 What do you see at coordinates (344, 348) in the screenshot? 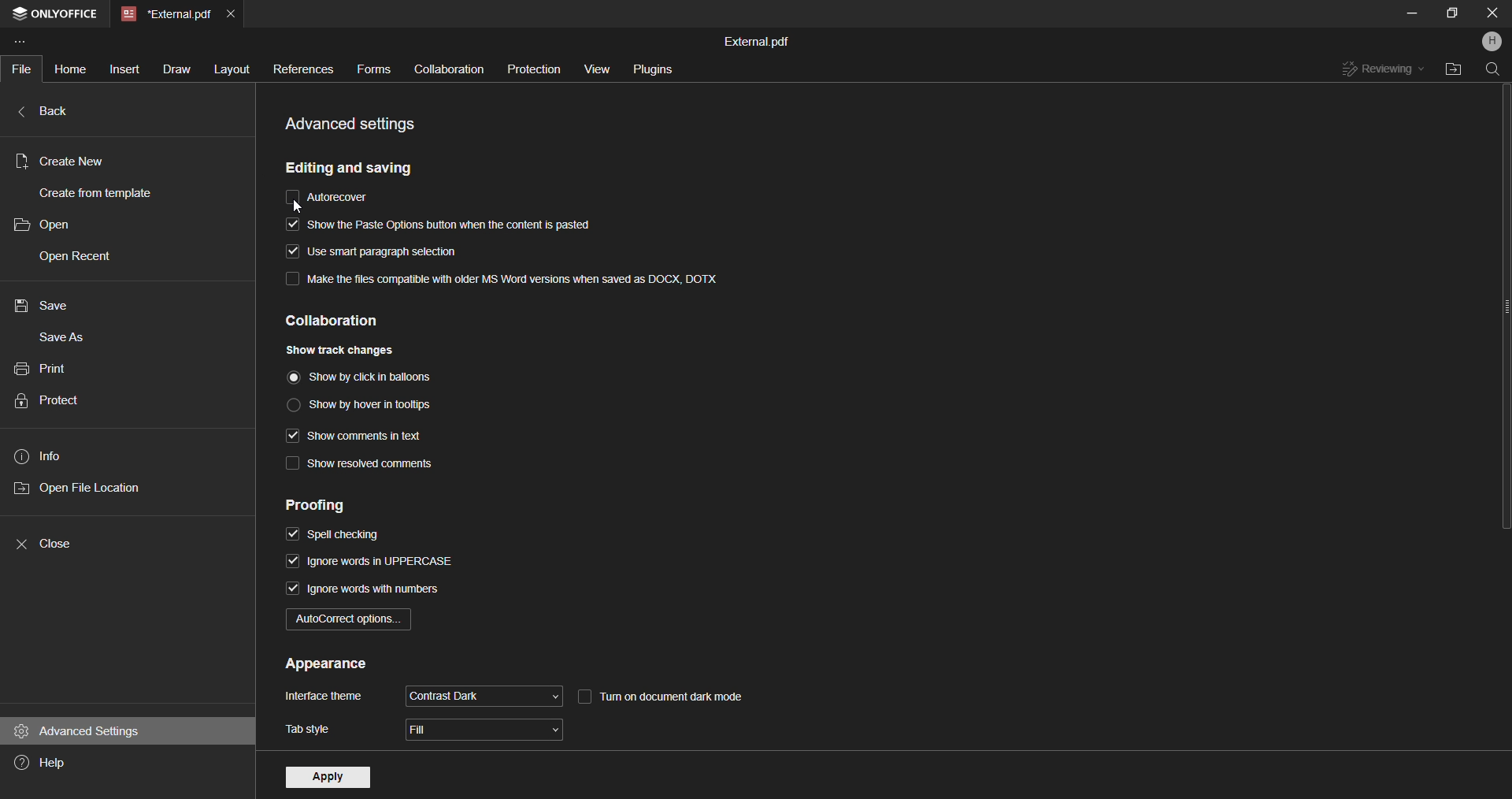
I see `show track changes` at bounding box center [344, 348].